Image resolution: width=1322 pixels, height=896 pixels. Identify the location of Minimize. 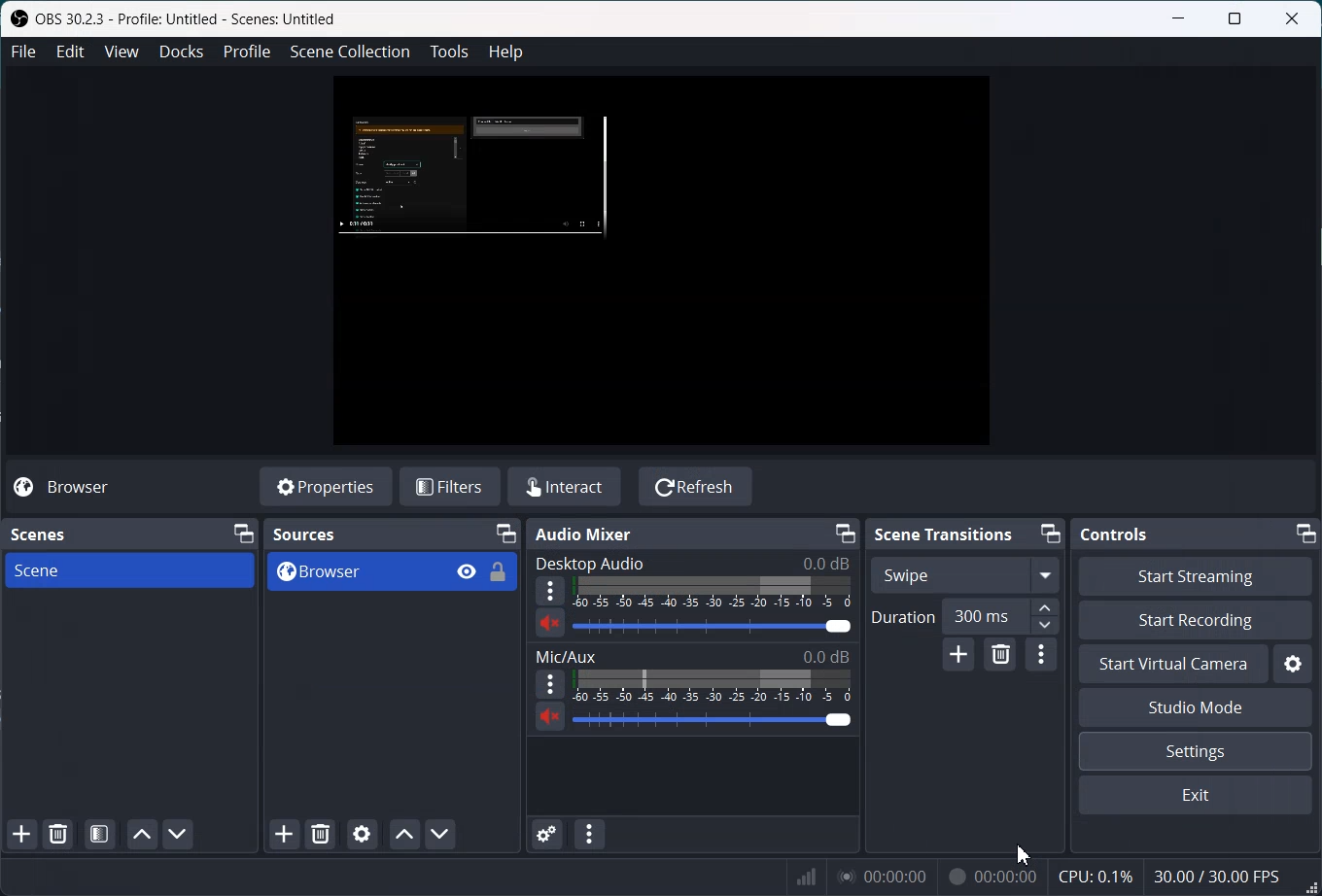
(506, 533).